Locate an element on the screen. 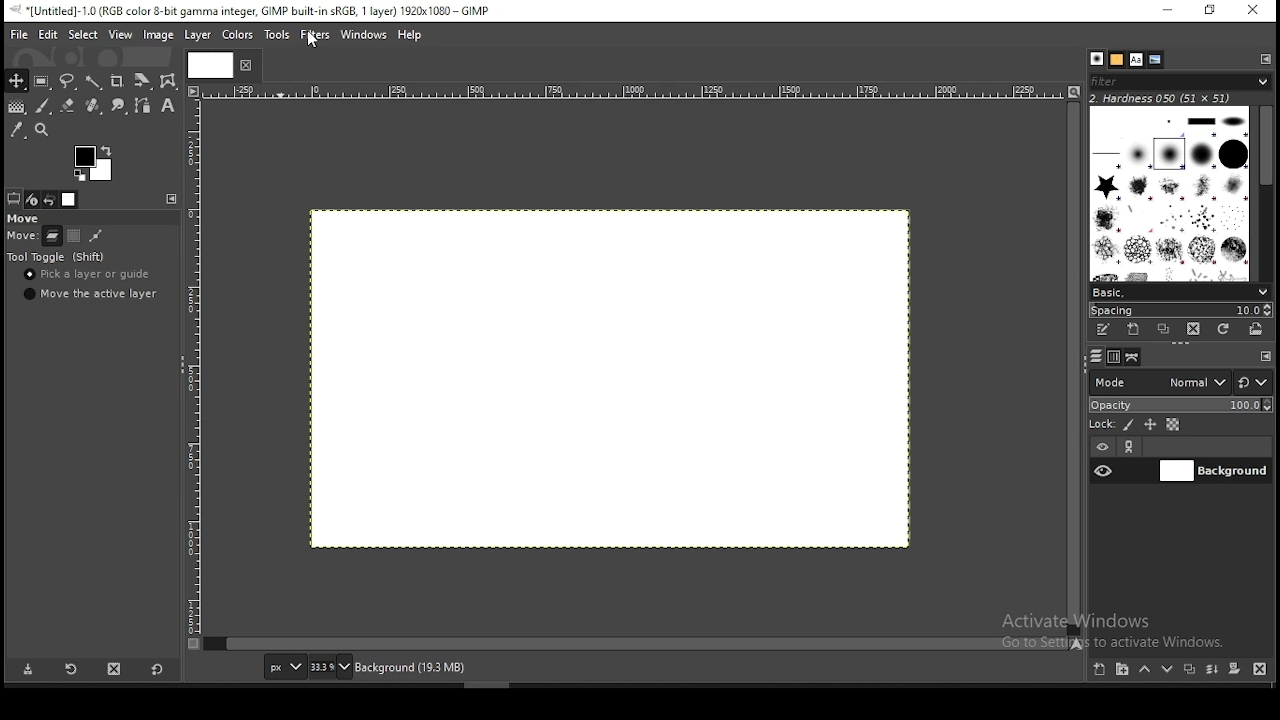 This screenshot has width=1280, height=720. view is located at coordinates (120, 33).